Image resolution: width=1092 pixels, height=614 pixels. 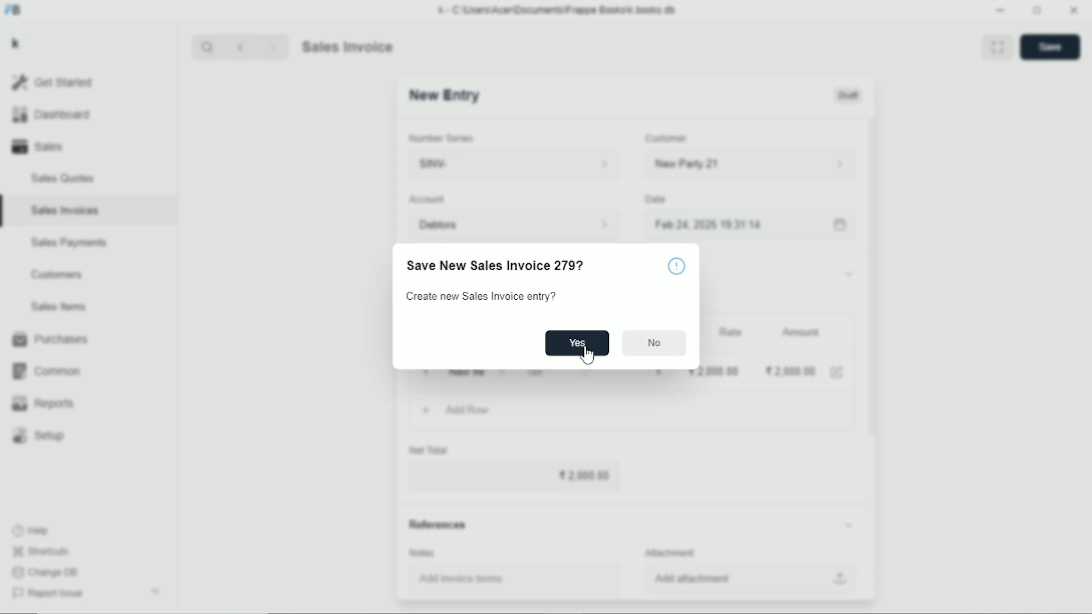 I want to click on Tax, so click(x=558, y=375).